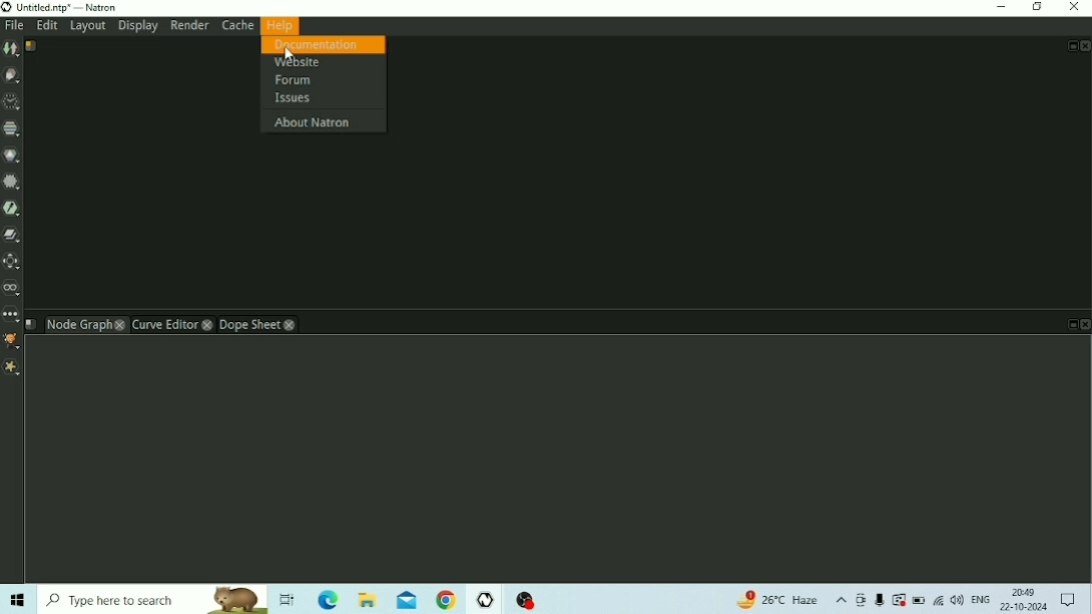 Image resolution: width=1092 pixels, height=614 pixels. Describe the element at coordinates (981, 597) in the screenshot. I see `Language` at that location.